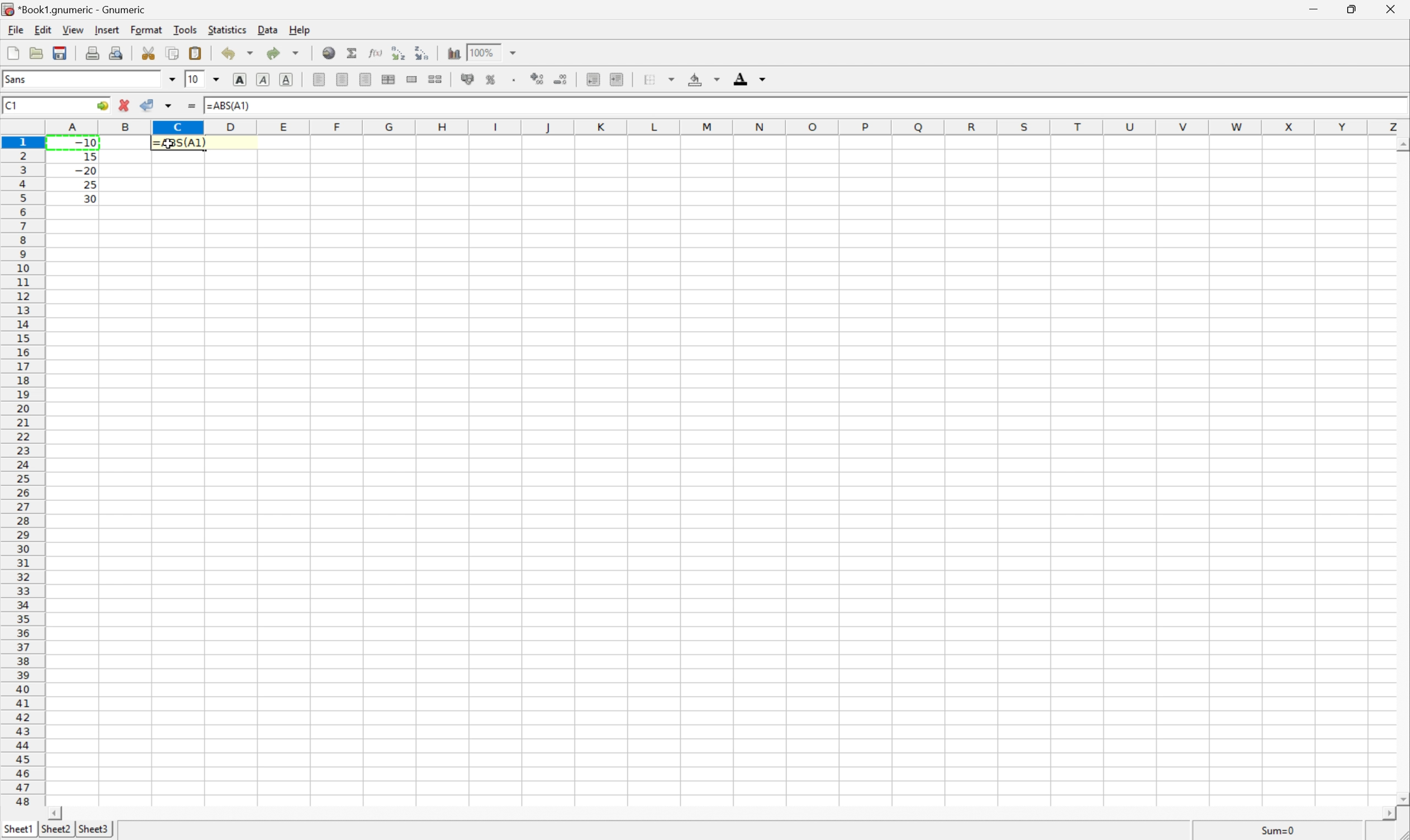 This screenshot has height=840, width=1410. Describe the element at coordinates (716, 80) in the screenshot. I see `Drop Down` at that location.